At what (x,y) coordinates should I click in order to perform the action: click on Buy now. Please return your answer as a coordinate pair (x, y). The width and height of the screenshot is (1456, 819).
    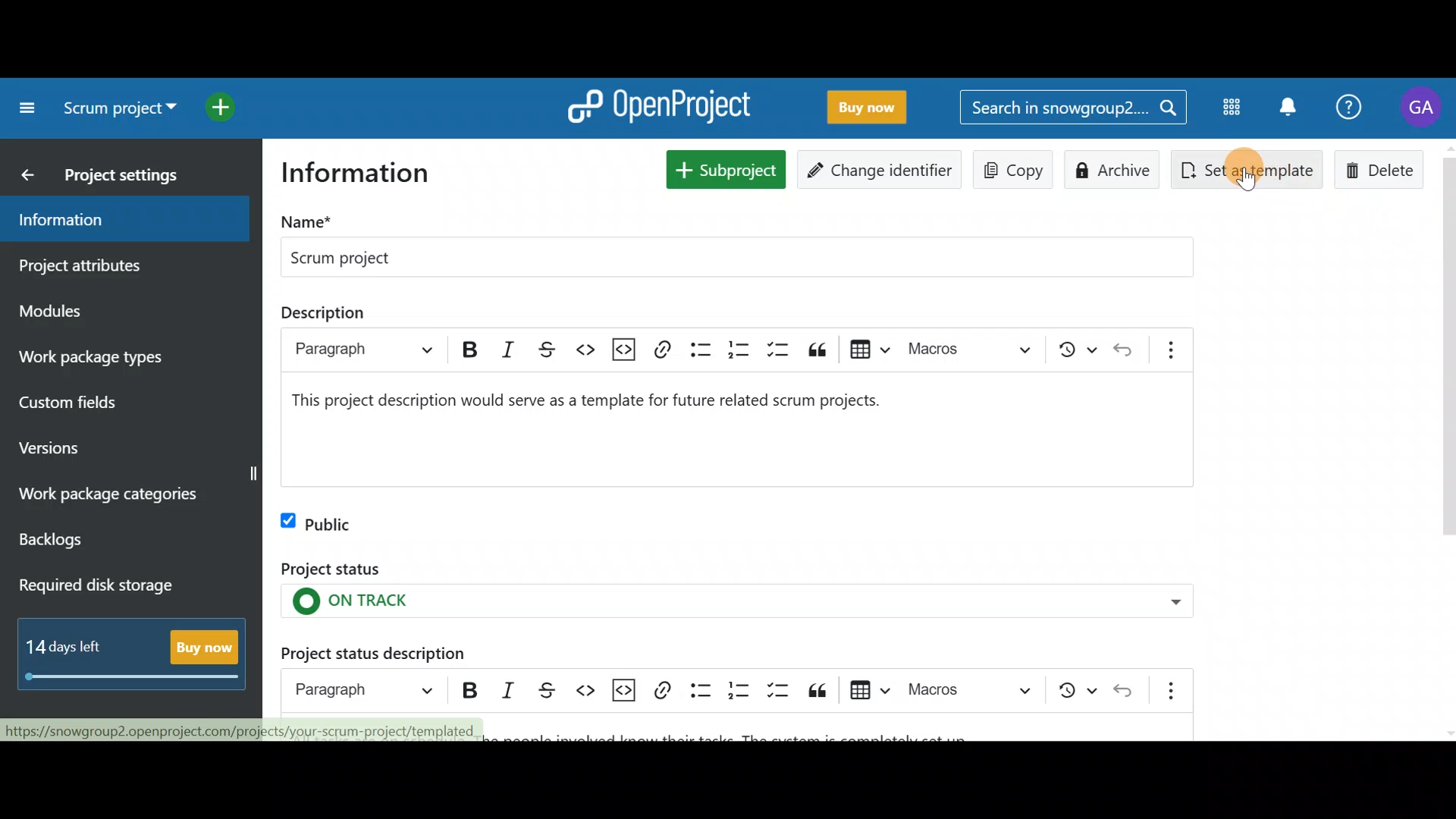
    Looking at the image, I should click on (138, 657).